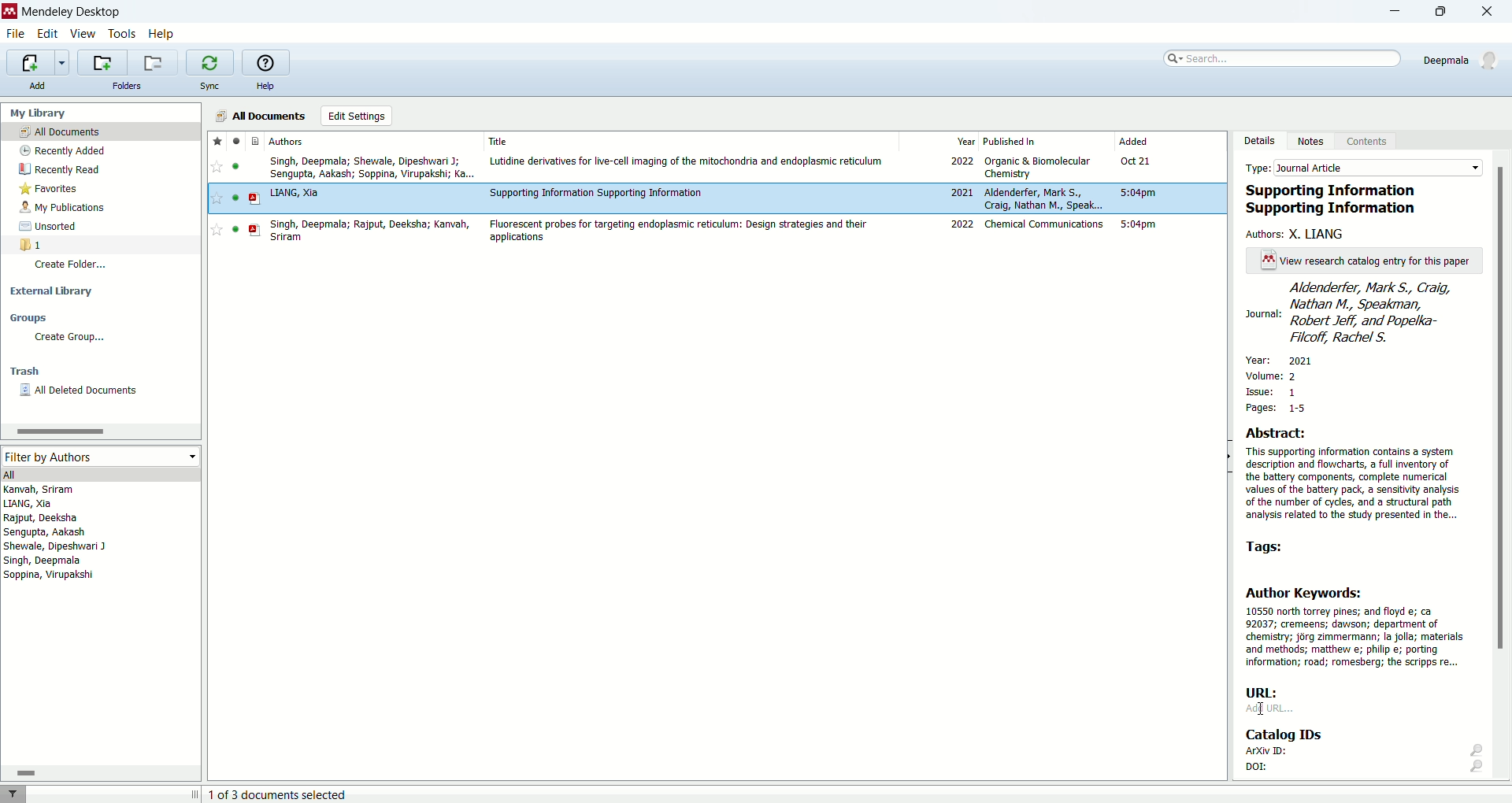  Describe the element at coordinates (1288, 359) in the screenshot. I see `year: 2021` at that location.